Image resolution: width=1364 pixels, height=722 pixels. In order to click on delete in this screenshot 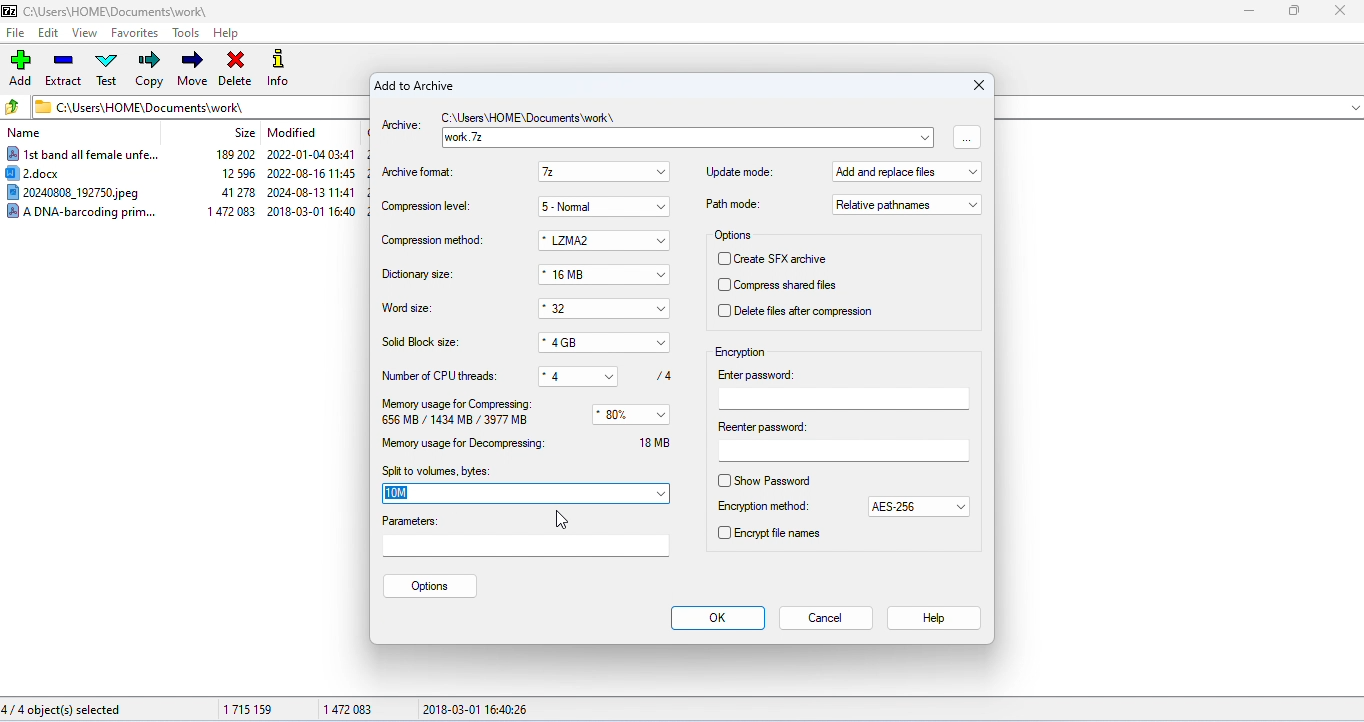, I will do `click(234, 70)`.